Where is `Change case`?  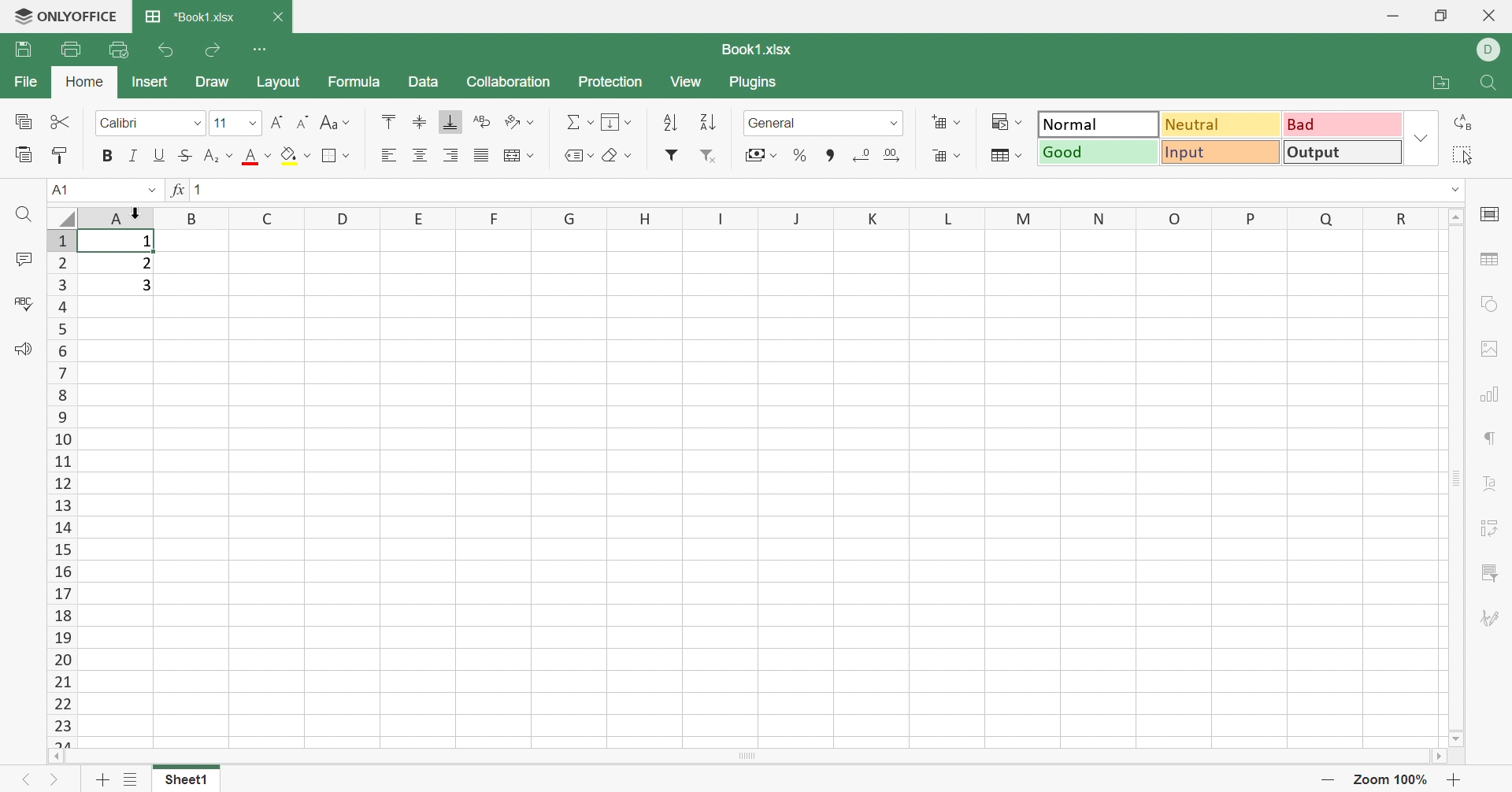 Change case is located at coordinates (335, 121).